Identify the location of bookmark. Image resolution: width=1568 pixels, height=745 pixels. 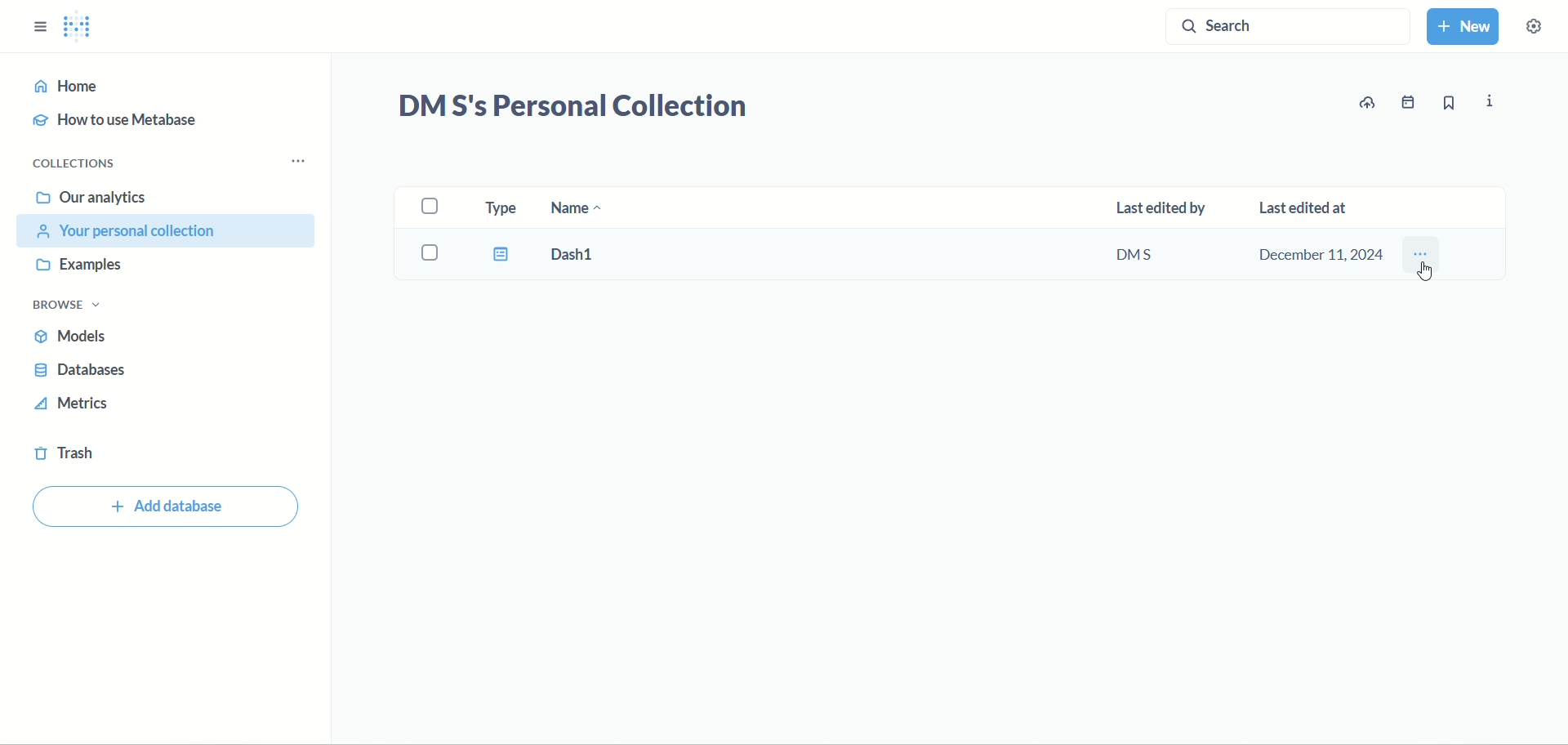
(1448, 105).